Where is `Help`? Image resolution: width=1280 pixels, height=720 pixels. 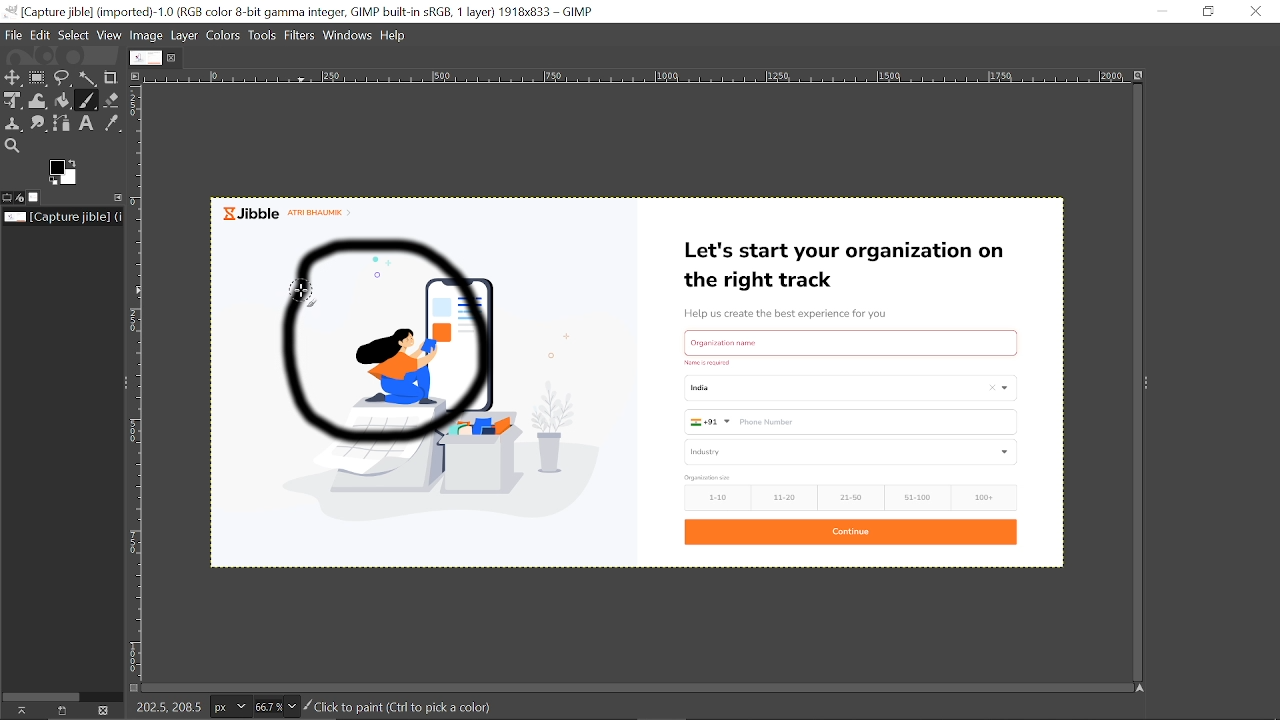 Help is located at coordinates (395, 36).